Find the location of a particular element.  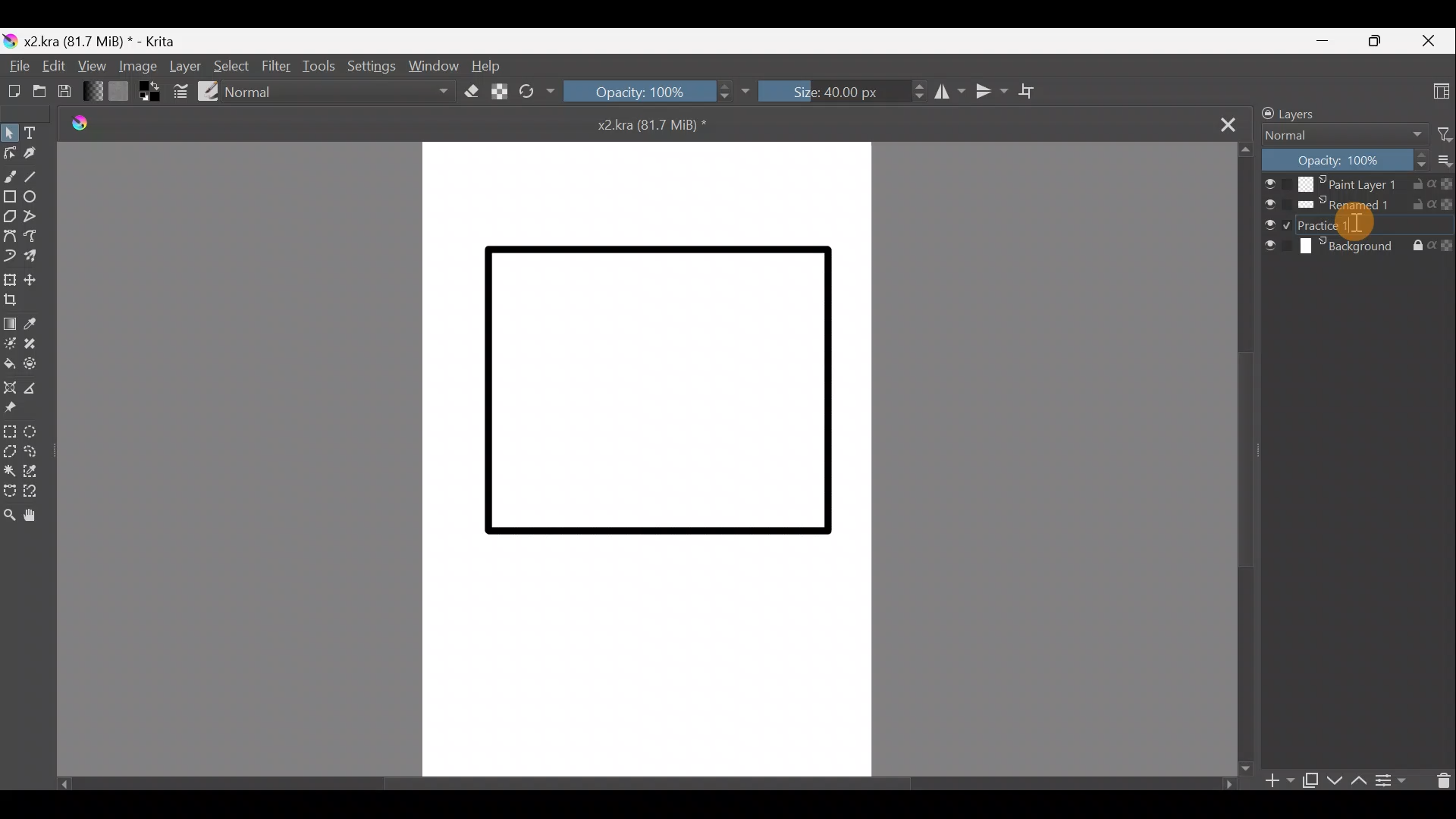

Canvas is located at coordinates (650, 460).